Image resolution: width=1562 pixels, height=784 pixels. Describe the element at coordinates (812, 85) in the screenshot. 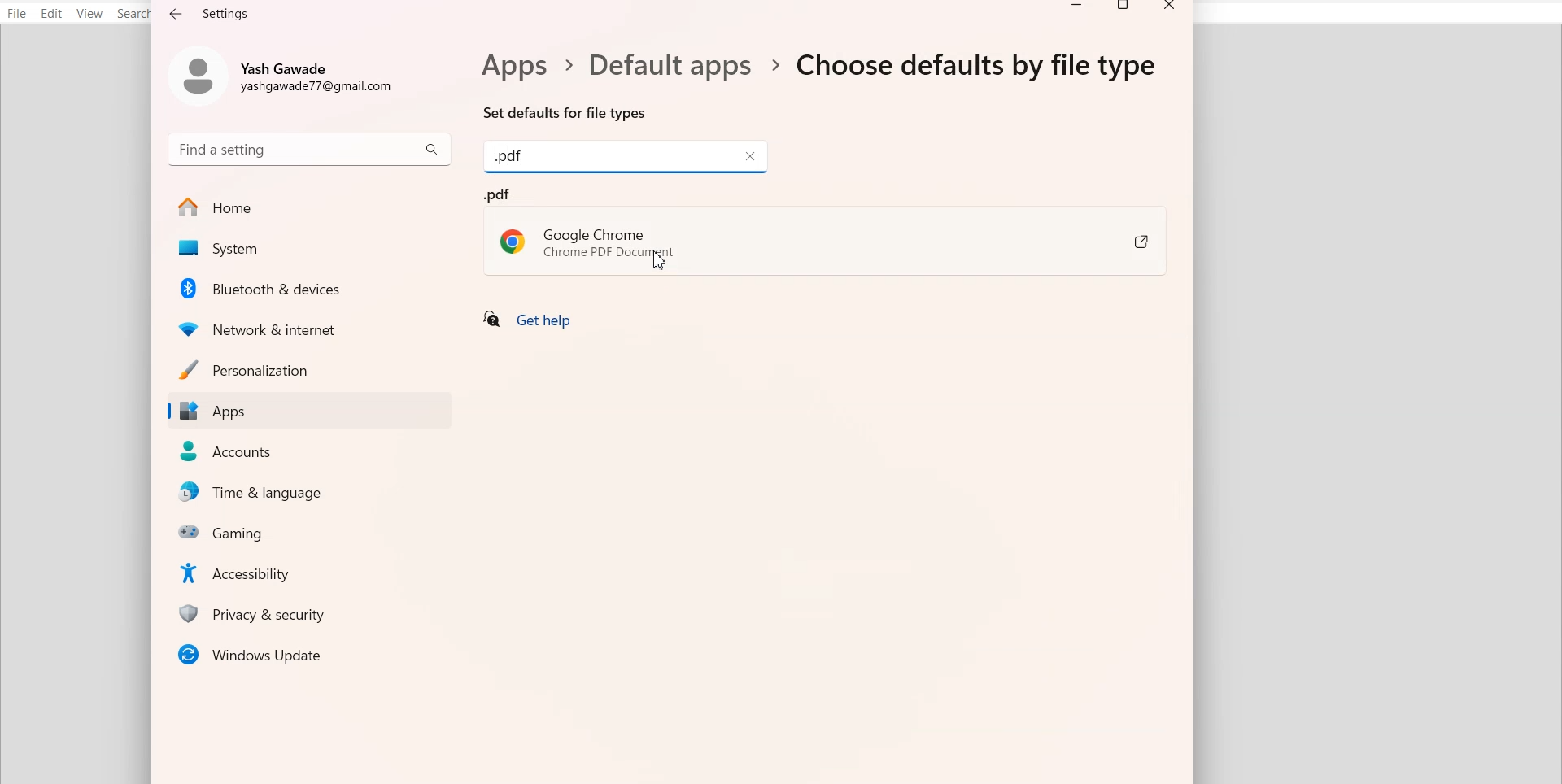

I see `Text` at that location.